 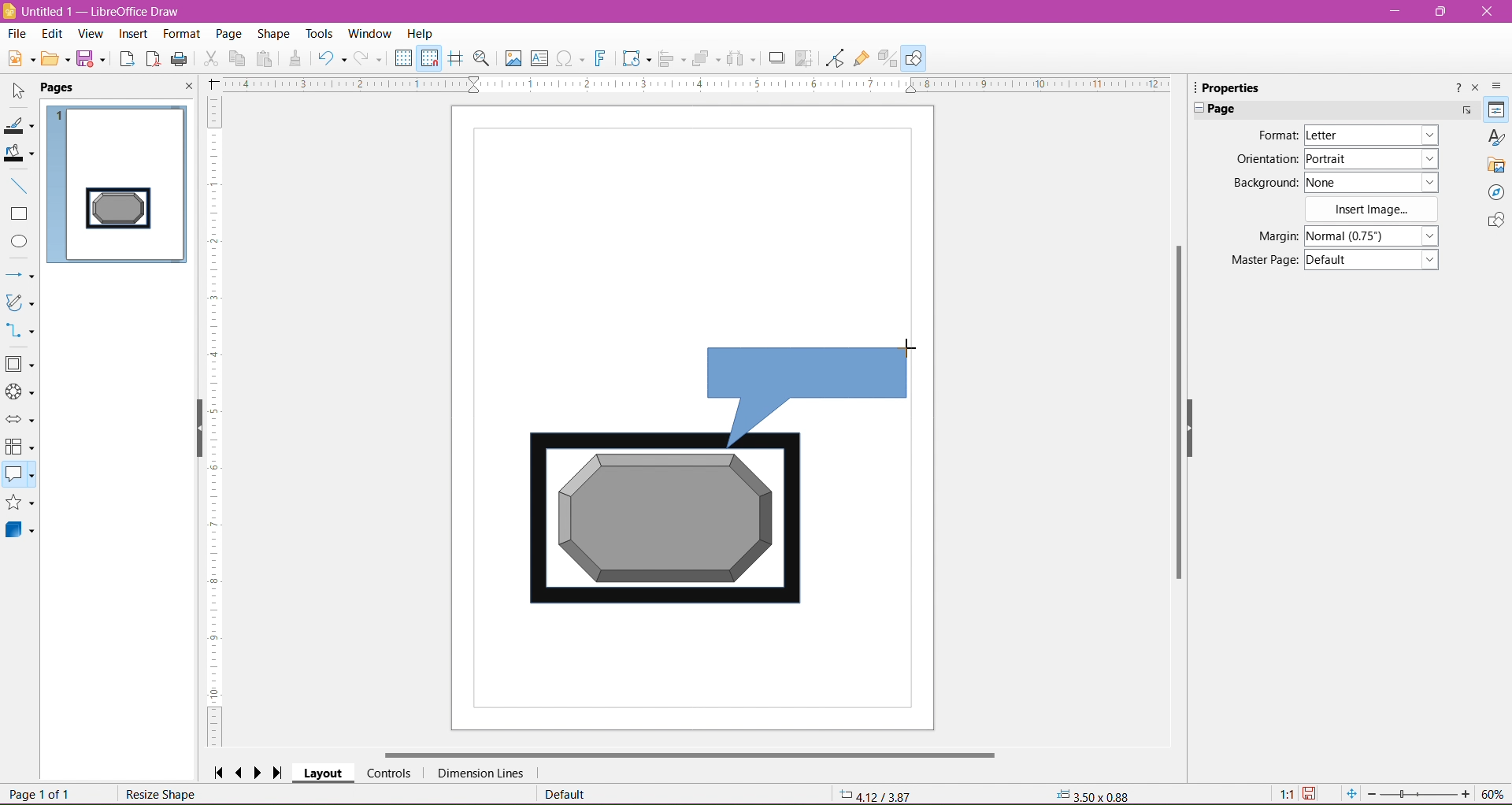 What do you see at coordinates (1495, 110) in the screenshot?
I see `Properties` at bounding box center [1495, 110].